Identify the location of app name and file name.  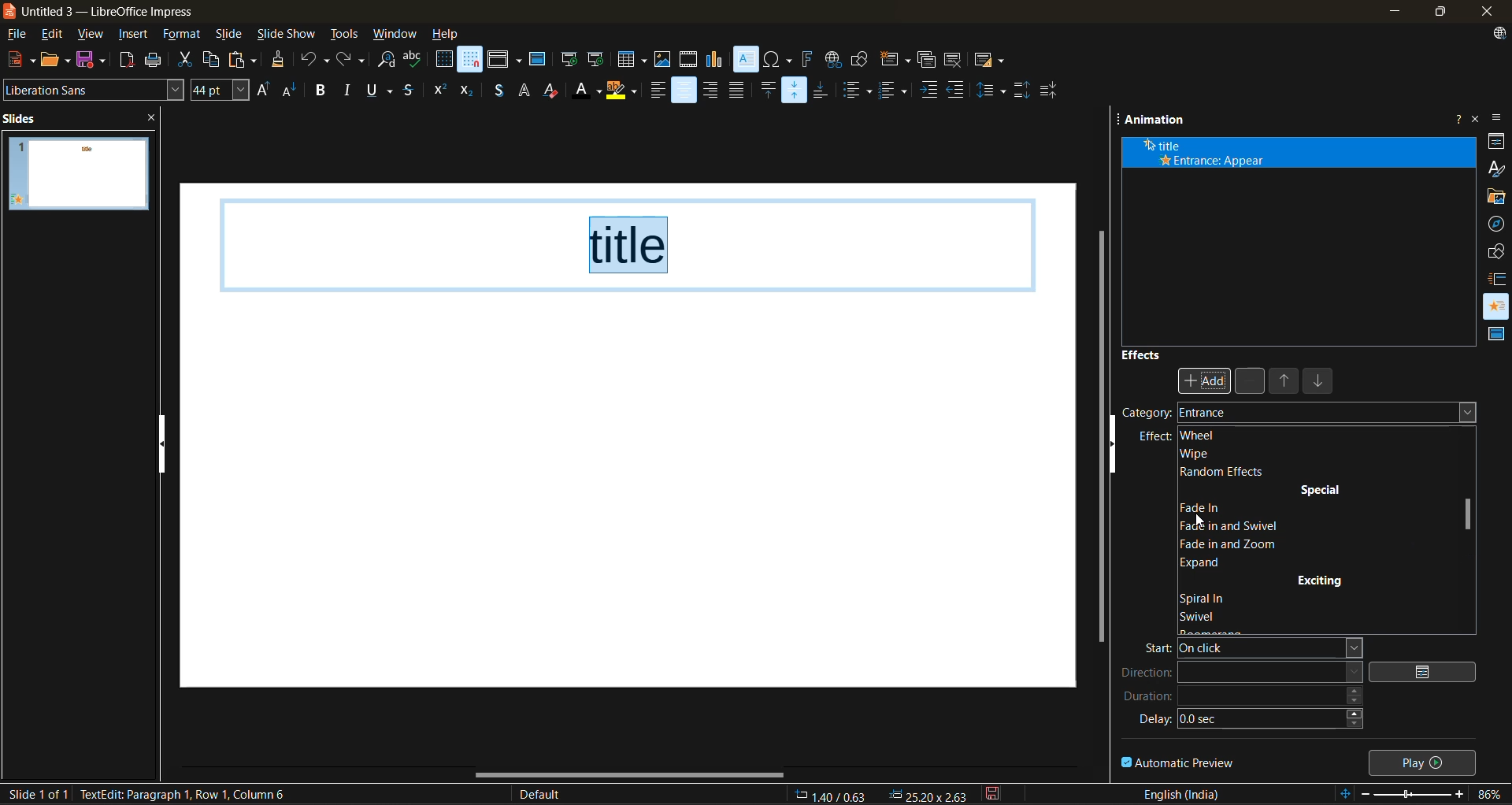
(109, 12).